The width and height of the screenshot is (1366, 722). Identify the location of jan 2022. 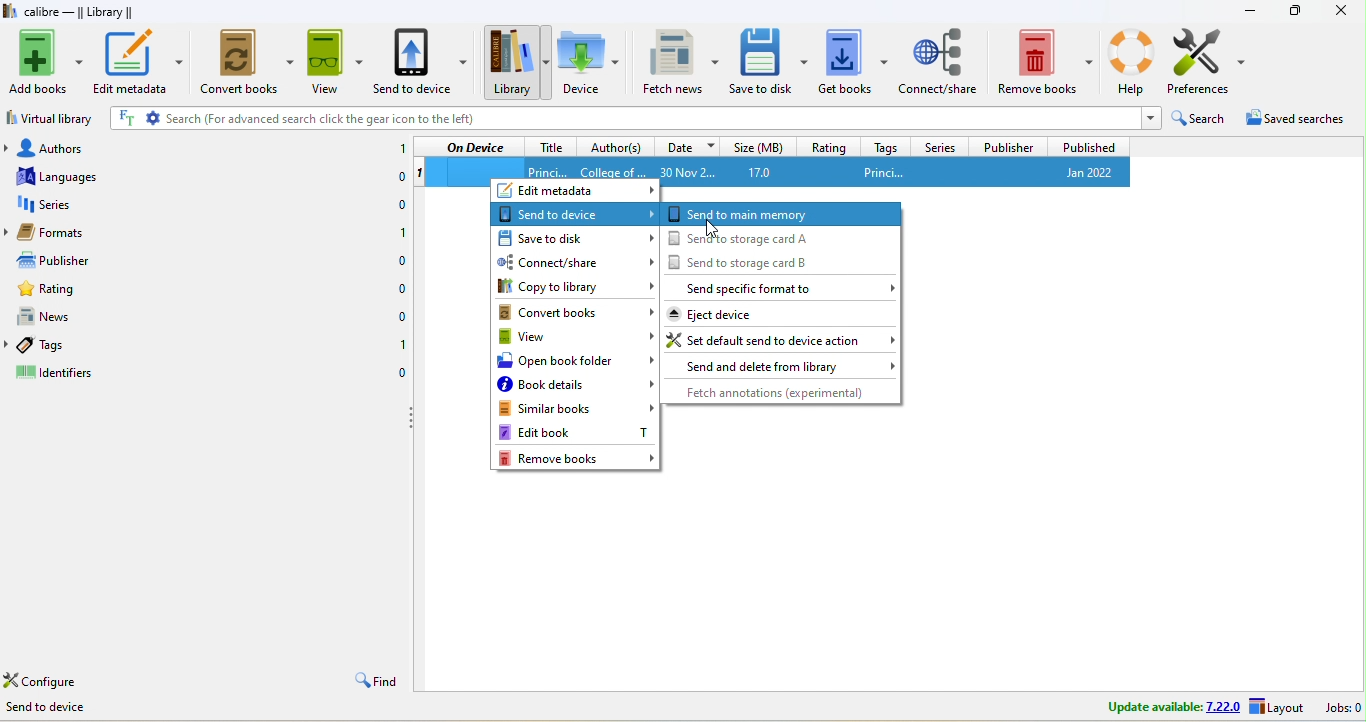
(1082, 172).